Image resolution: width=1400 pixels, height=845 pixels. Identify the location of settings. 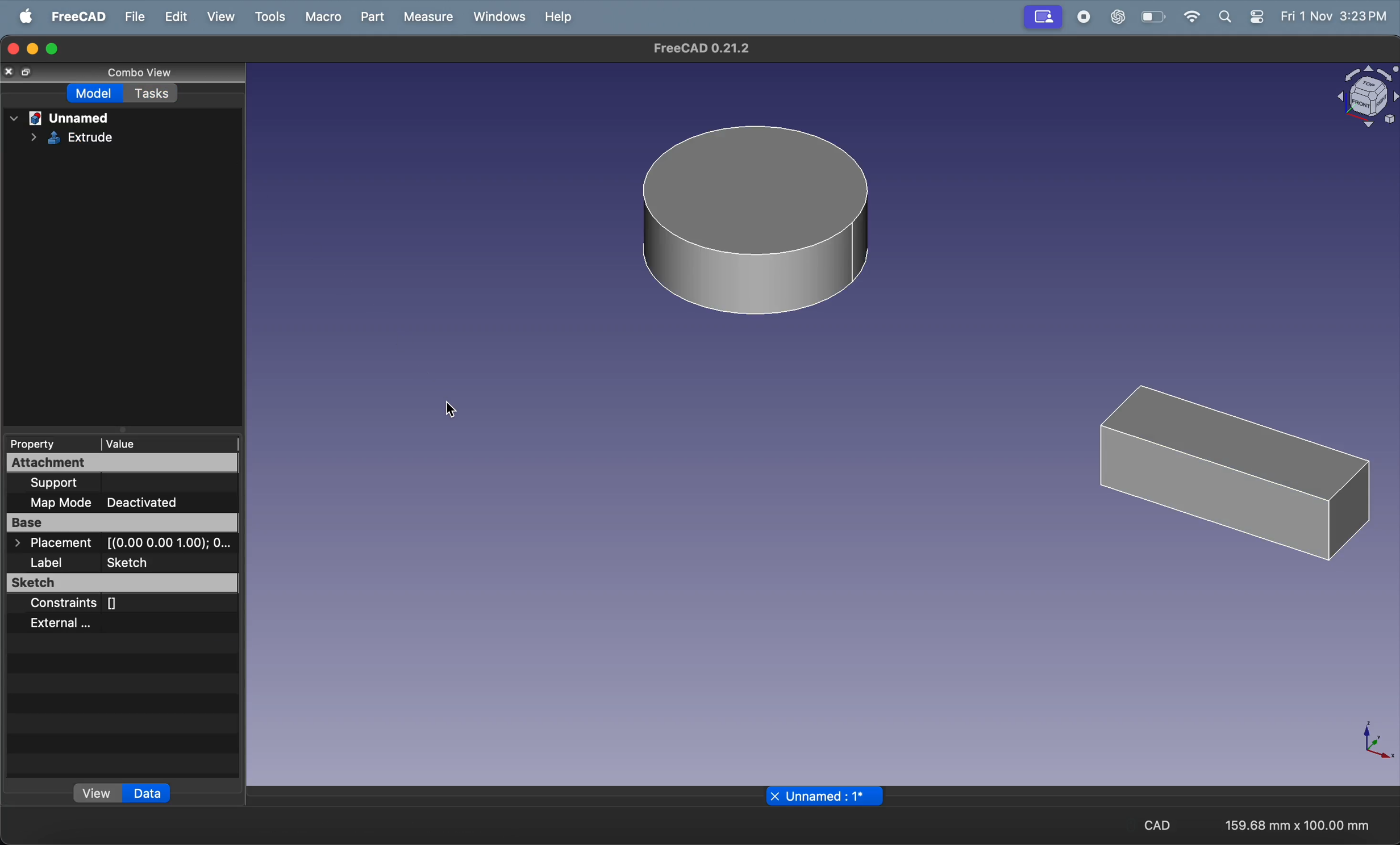
(1258, 17).